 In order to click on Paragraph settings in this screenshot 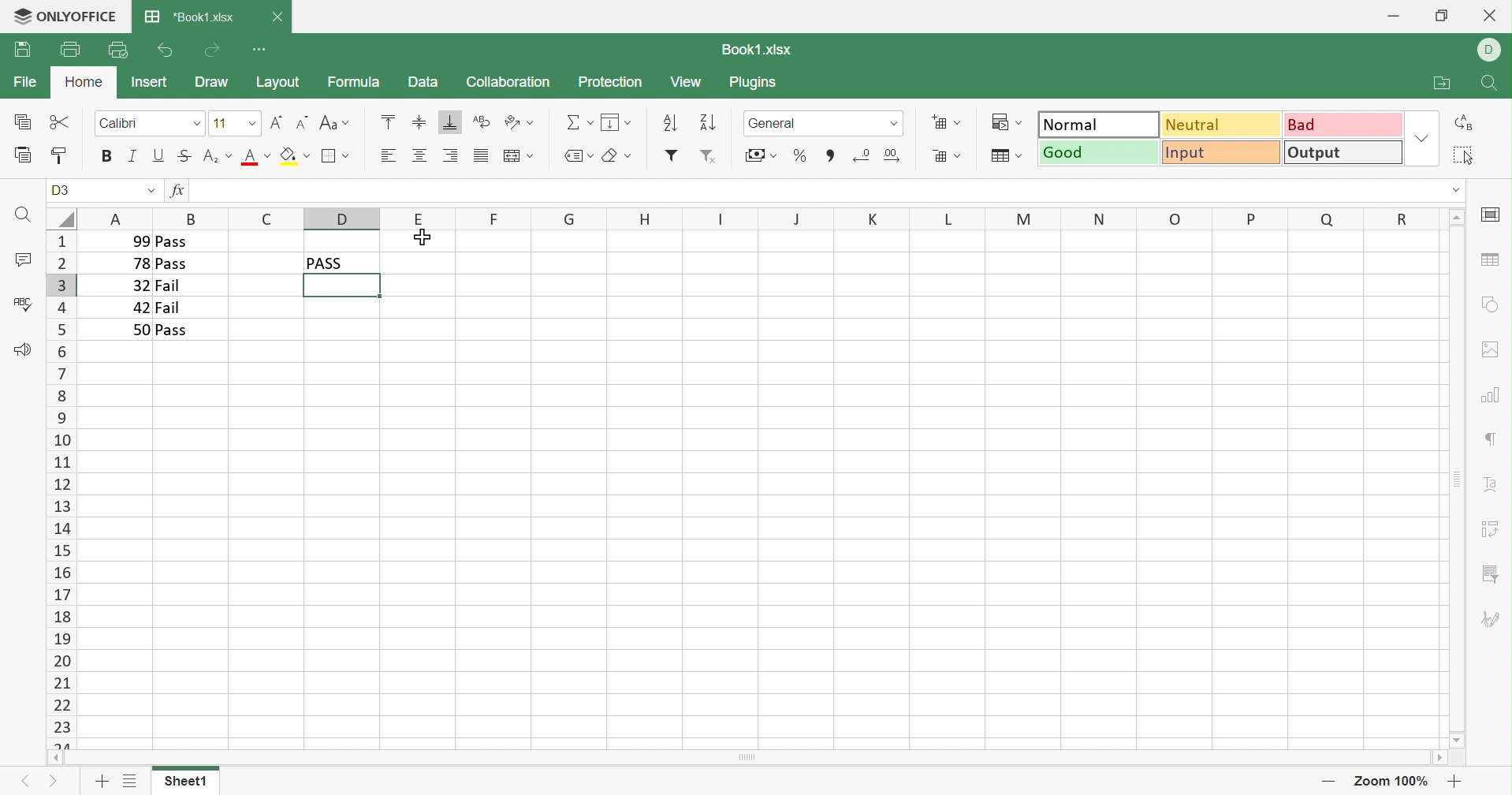, I will do `click(1495, 438)`.